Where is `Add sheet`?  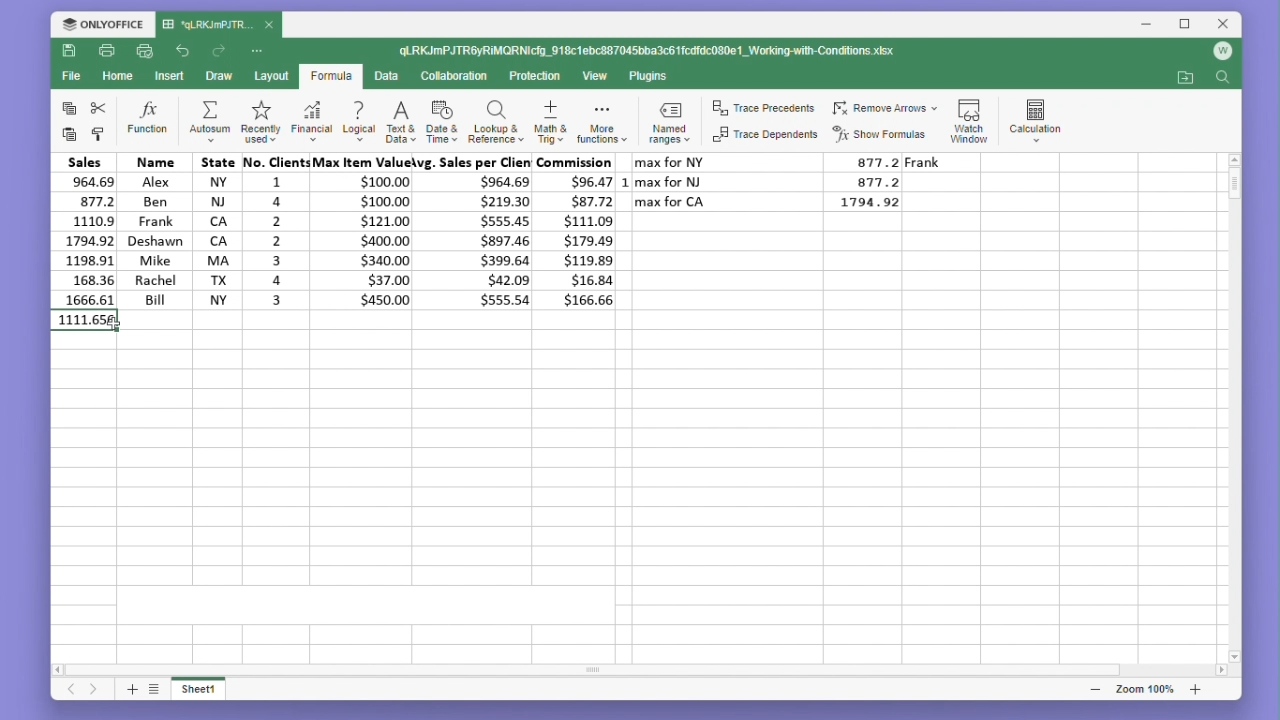
Add sheet is located at coordinates (130, 691).